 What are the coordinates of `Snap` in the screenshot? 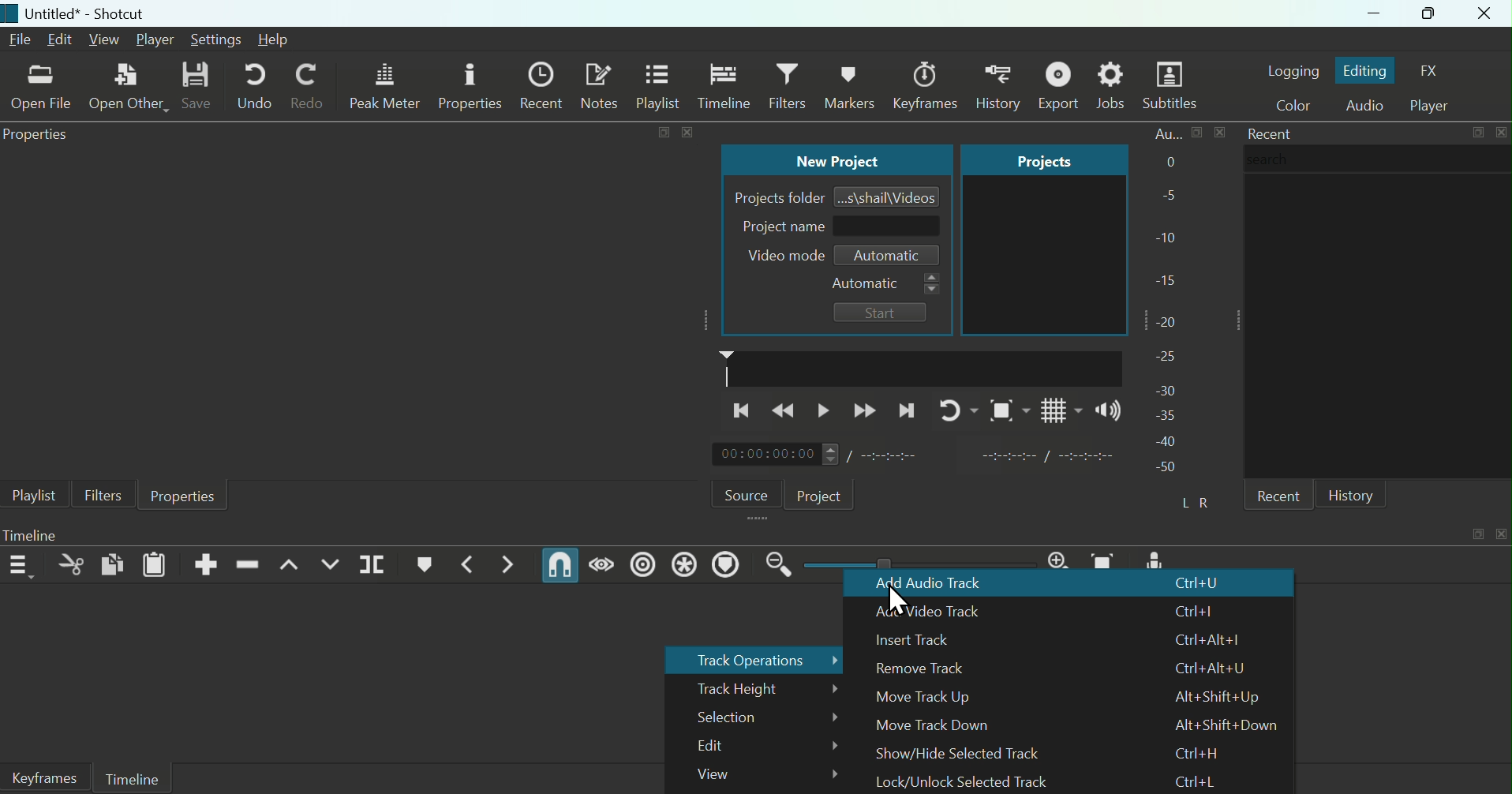 It's located at (560, 566).